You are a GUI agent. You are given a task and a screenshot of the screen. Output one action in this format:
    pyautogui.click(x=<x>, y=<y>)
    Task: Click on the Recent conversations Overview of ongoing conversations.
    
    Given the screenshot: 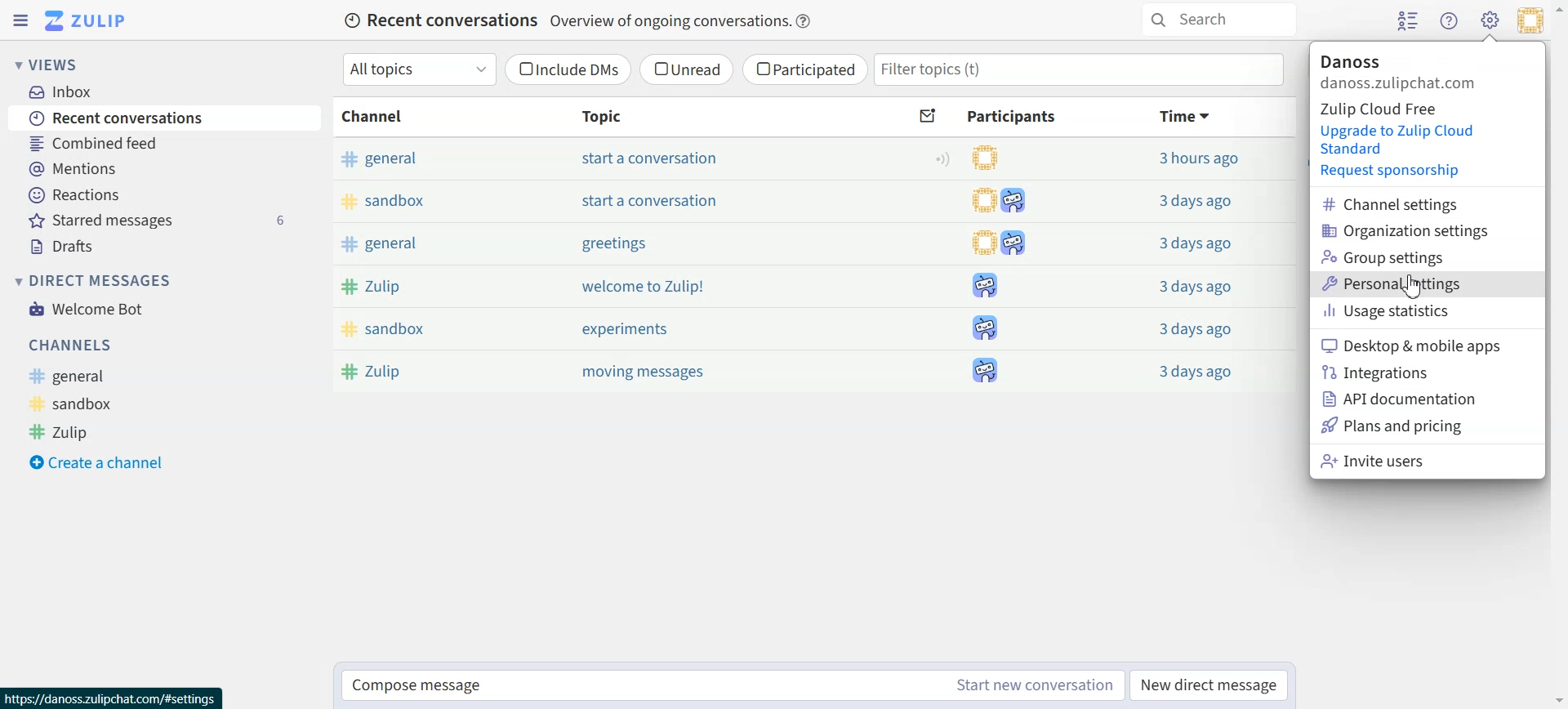 What is the action you would take?
    pyautogui.click(x=566, y=21)
    